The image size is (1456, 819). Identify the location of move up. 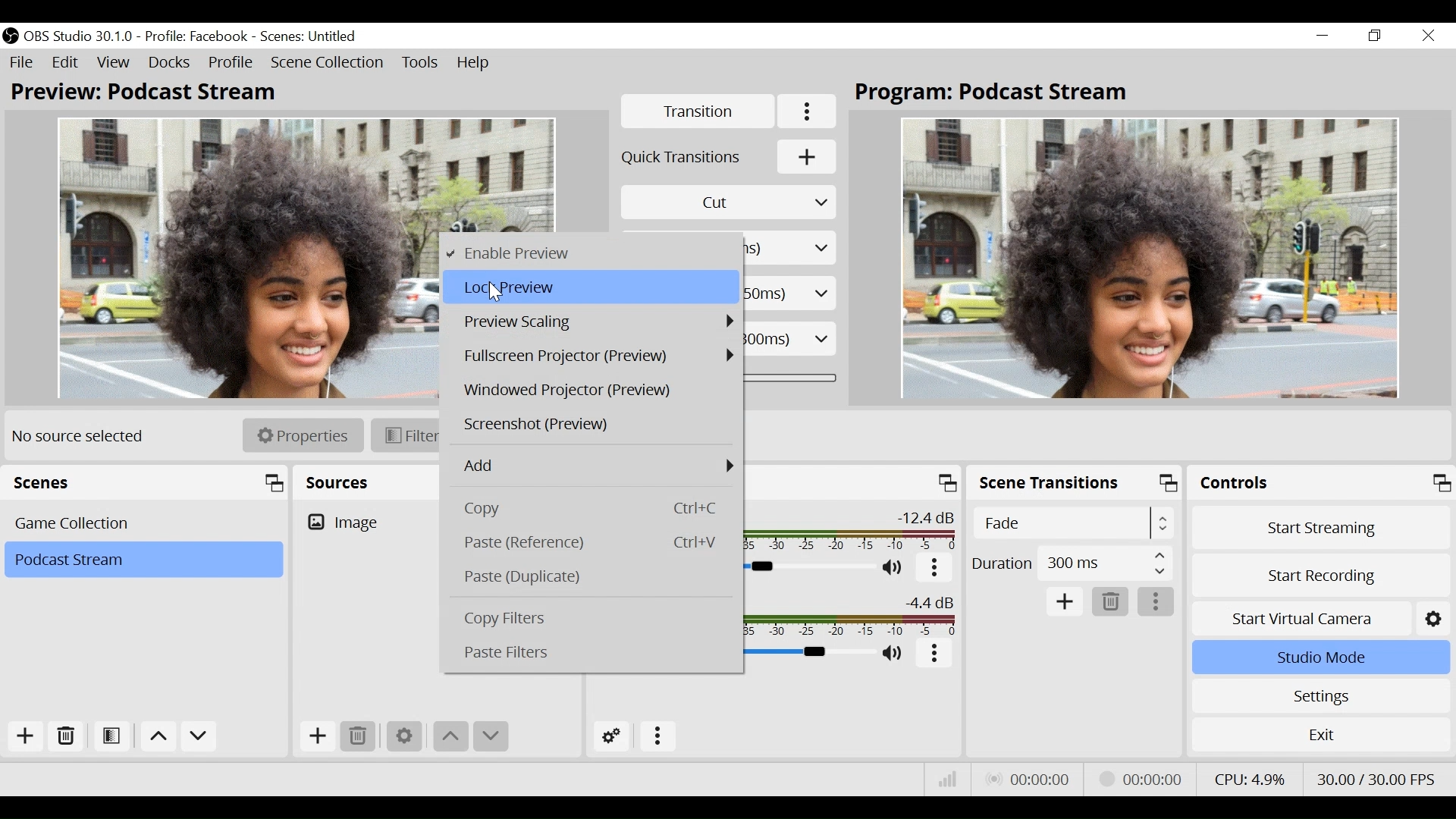
(158, 736).